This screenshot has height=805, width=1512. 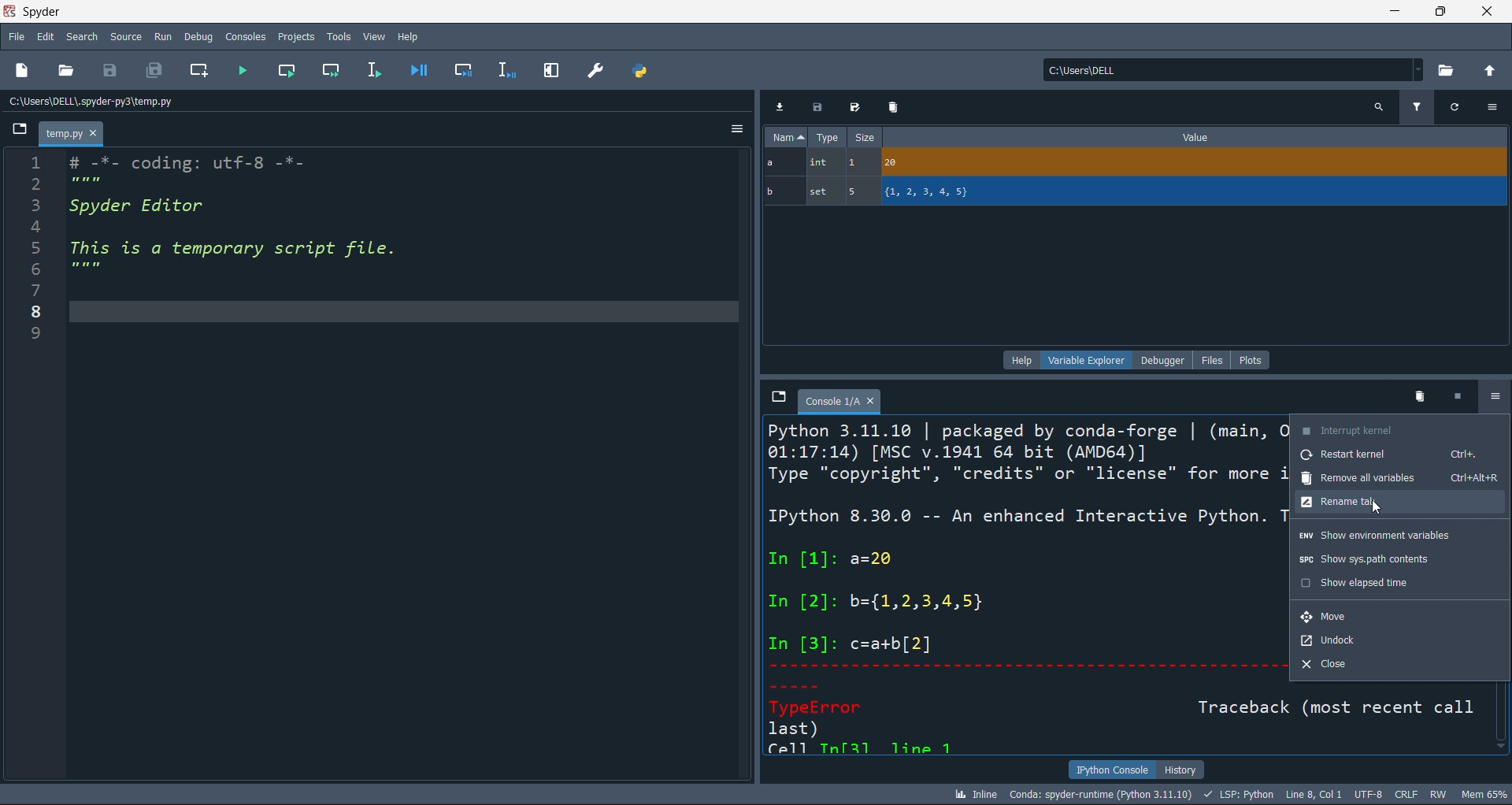 What do you see at coordinates (1399, 428) in the screenshot?
I see `Interrupt kernel` at bounding box center [1399, 428].